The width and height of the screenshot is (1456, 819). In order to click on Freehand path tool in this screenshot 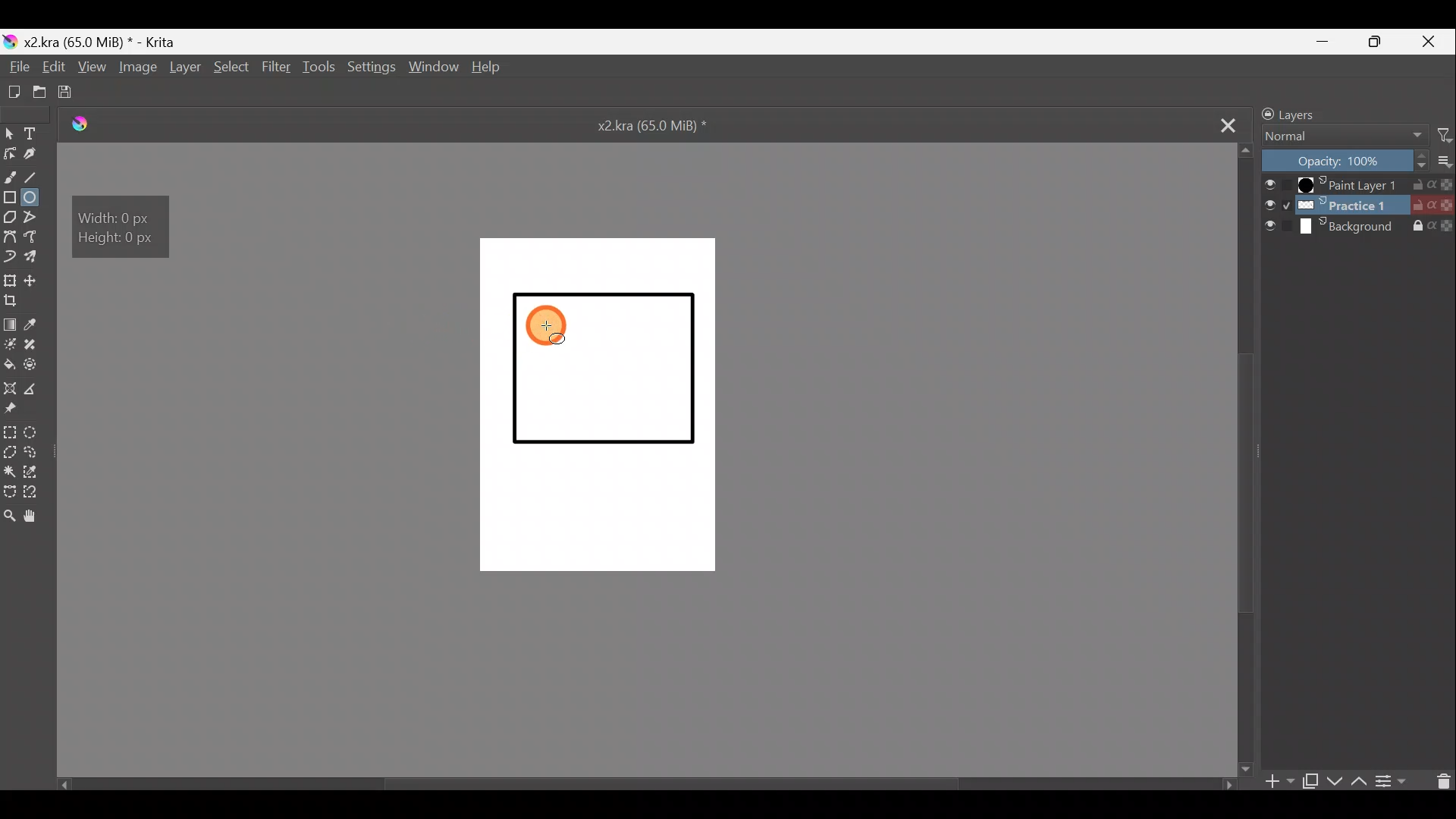, I will do `click(34, 238)`.